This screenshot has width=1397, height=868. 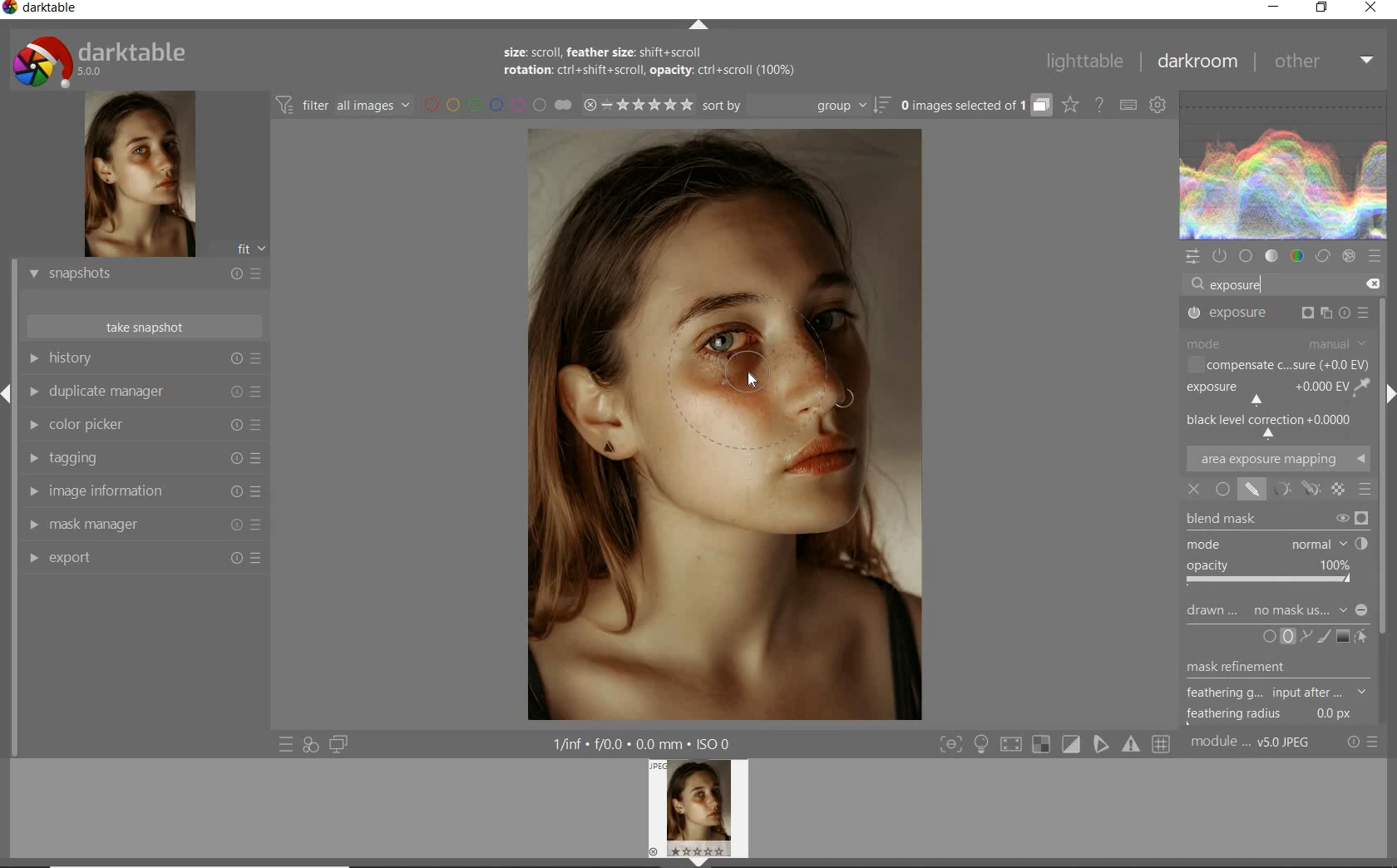 What do you see at coordinates (1270, 573) in the screenshot?
I see `OPACITY` at bounding box center [1270, 573].